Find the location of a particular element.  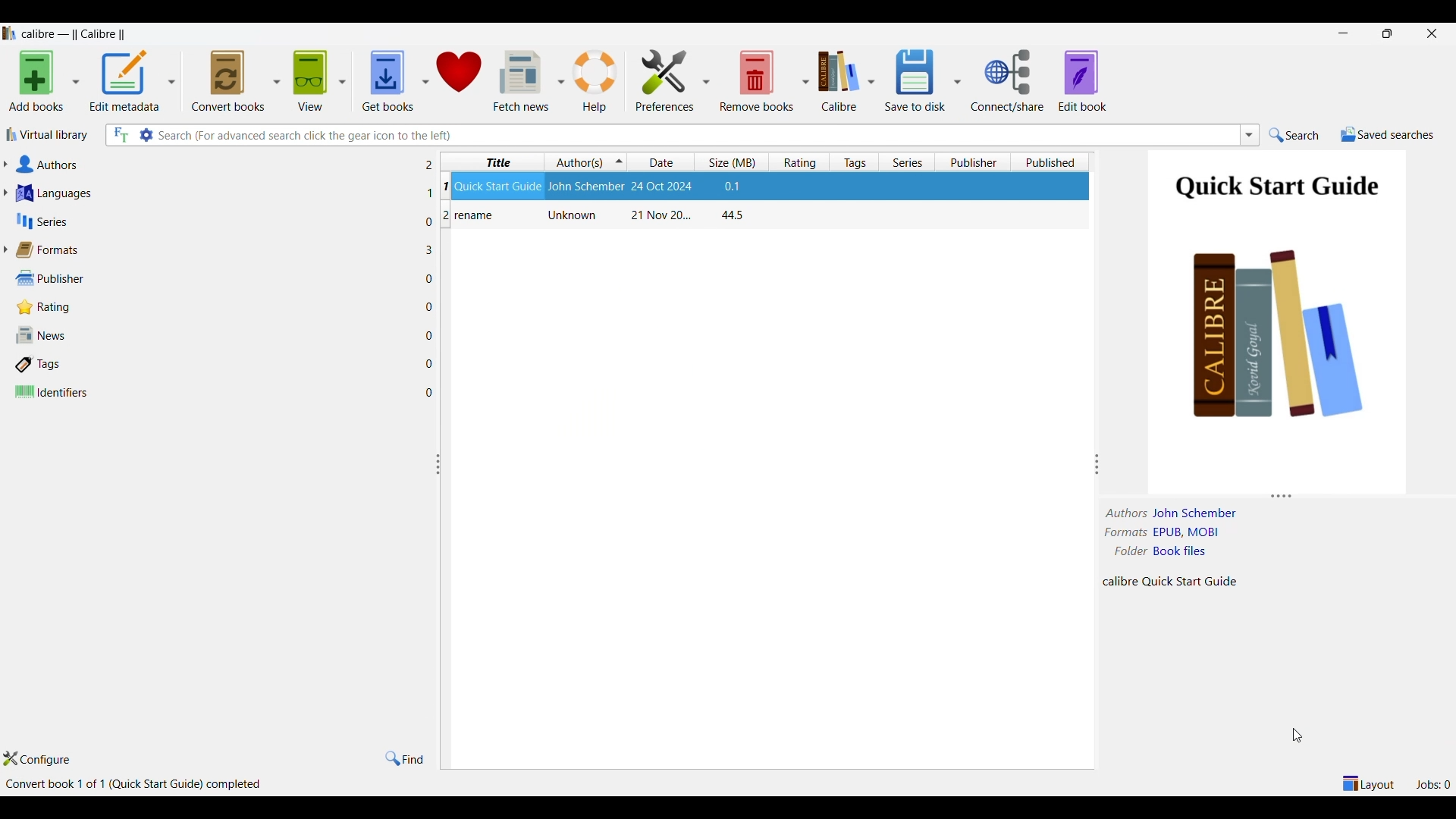

Jobs is located at coordinates (1433, 784).